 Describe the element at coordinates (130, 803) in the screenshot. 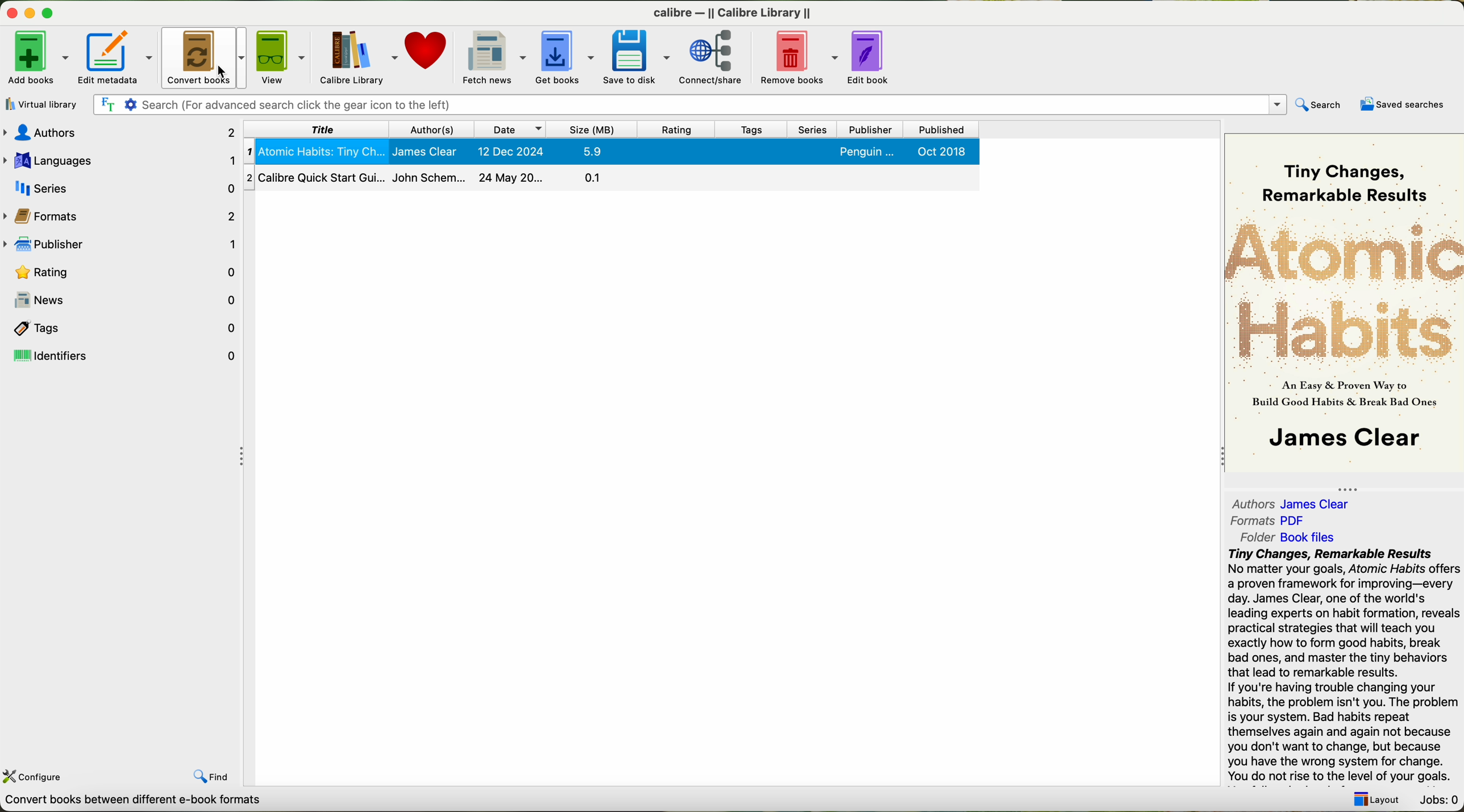

I see `data` at that location.